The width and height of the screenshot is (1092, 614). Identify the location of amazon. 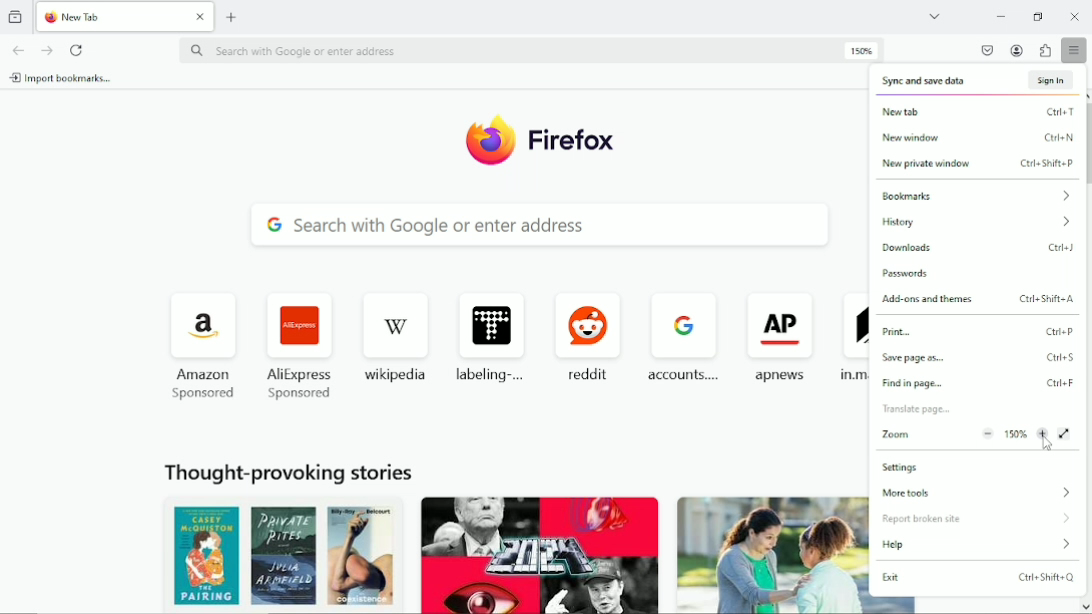
(207, 336).